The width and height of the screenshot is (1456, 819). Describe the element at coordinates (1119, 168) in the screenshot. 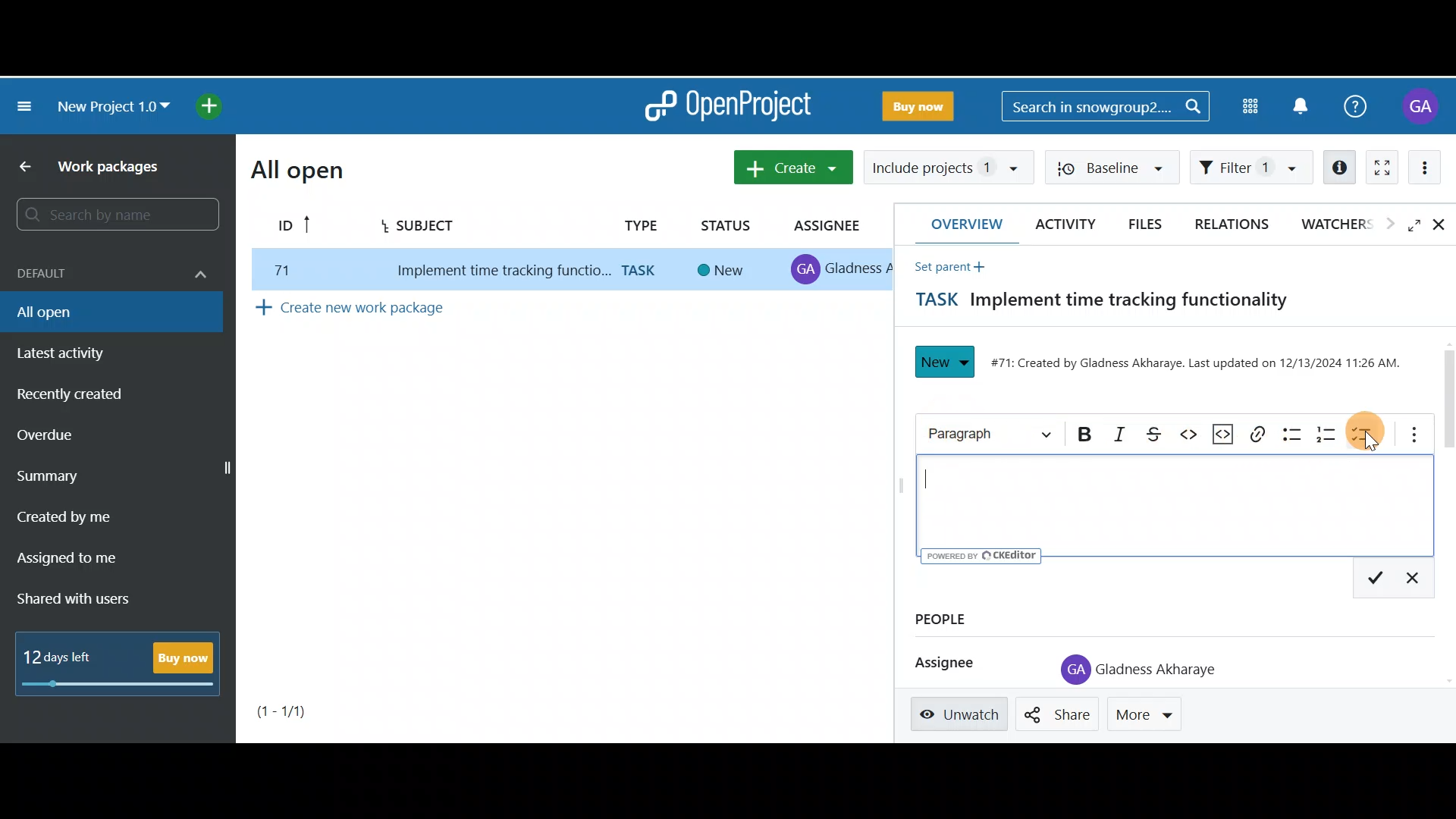

I see `Baseline` at that location.